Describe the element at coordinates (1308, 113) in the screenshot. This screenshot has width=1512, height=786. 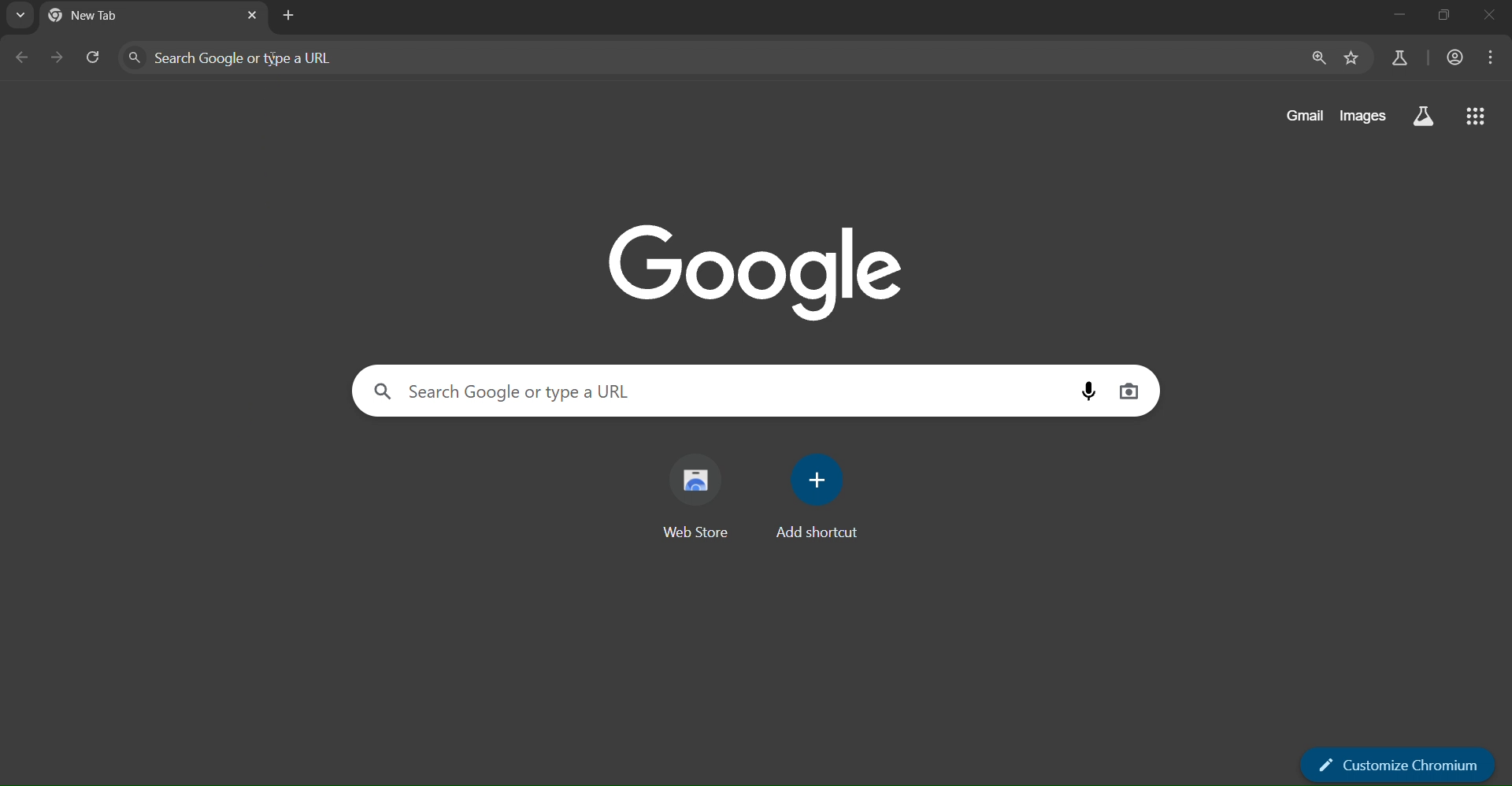
I see `gmail` at that location.